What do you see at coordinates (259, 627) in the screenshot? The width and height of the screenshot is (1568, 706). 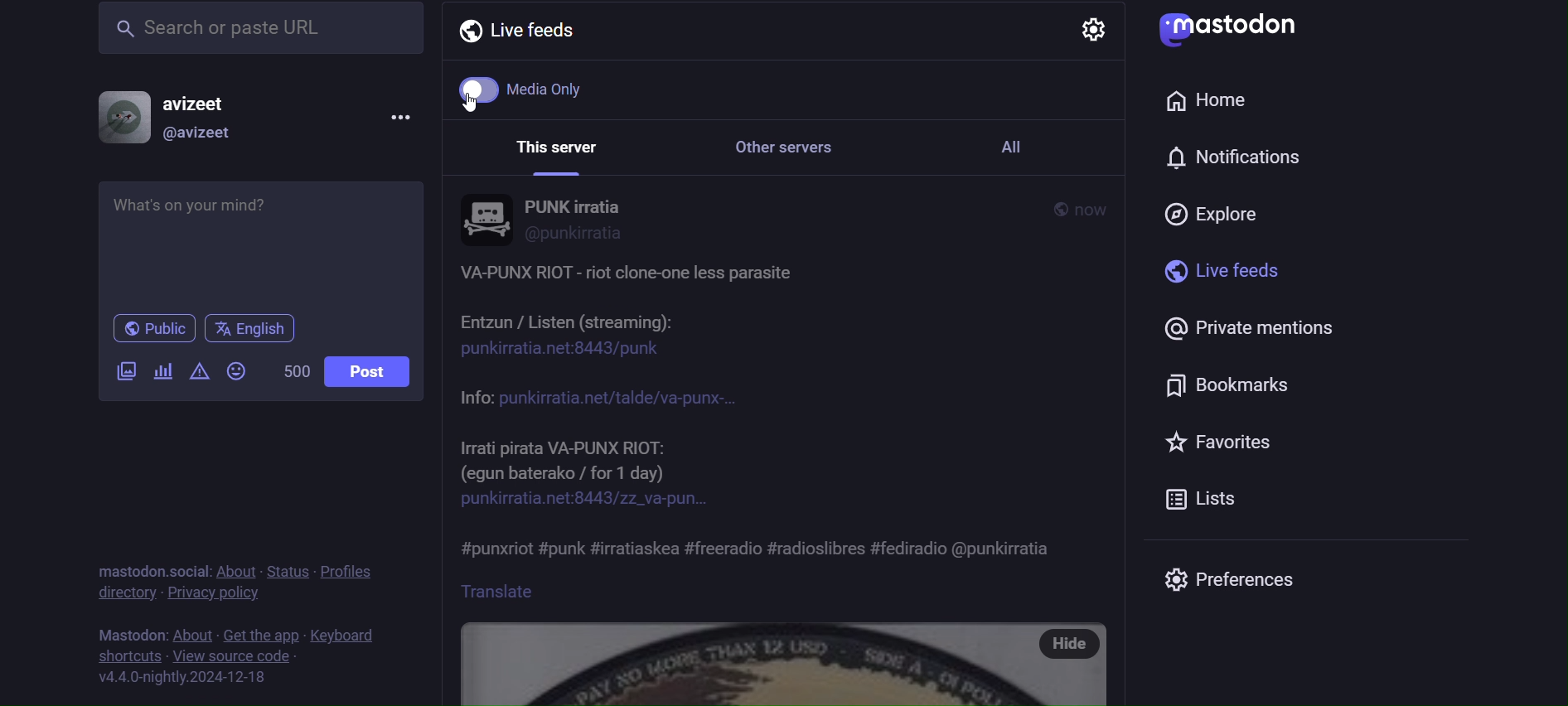 I see `get the app ` at bounding box center [259, 627].